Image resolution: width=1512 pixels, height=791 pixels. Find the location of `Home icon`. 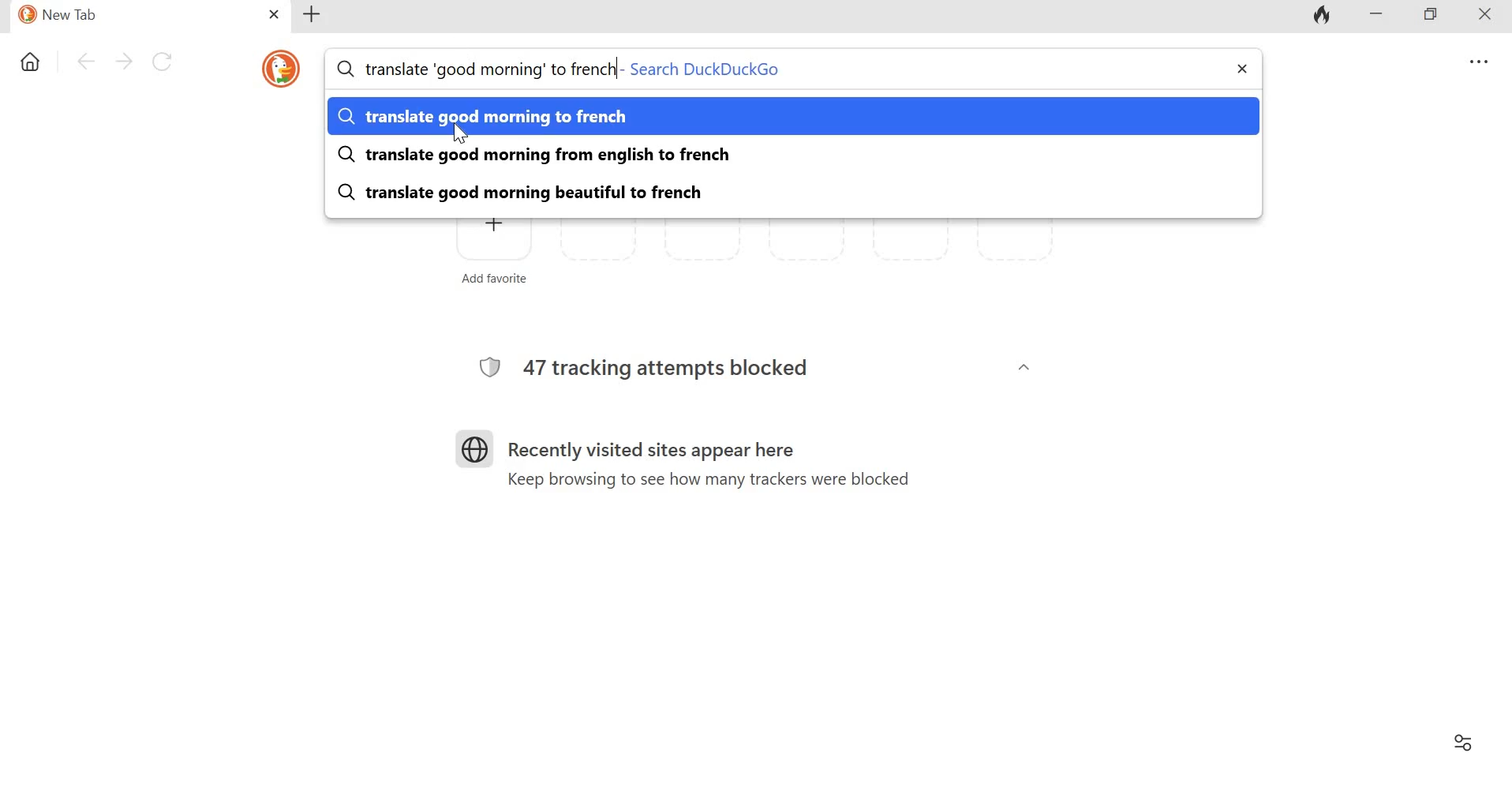

Home icon is located at coordinates (29, 64).